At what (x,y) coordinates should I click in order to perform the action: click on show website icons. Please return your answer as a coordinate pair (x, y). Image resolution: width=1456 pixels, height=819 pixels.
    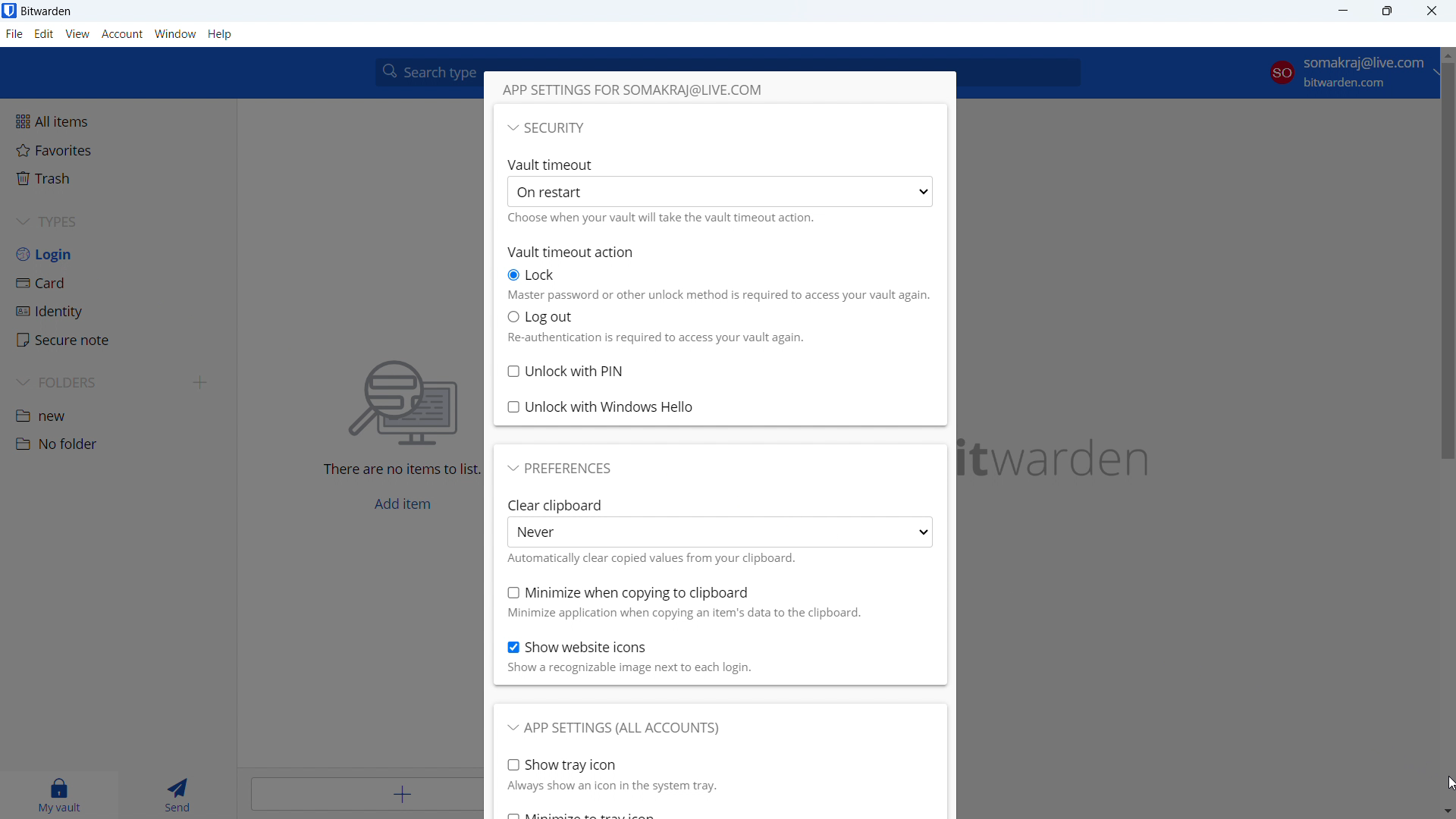
    Looking at the image, I should click on (717, 657).